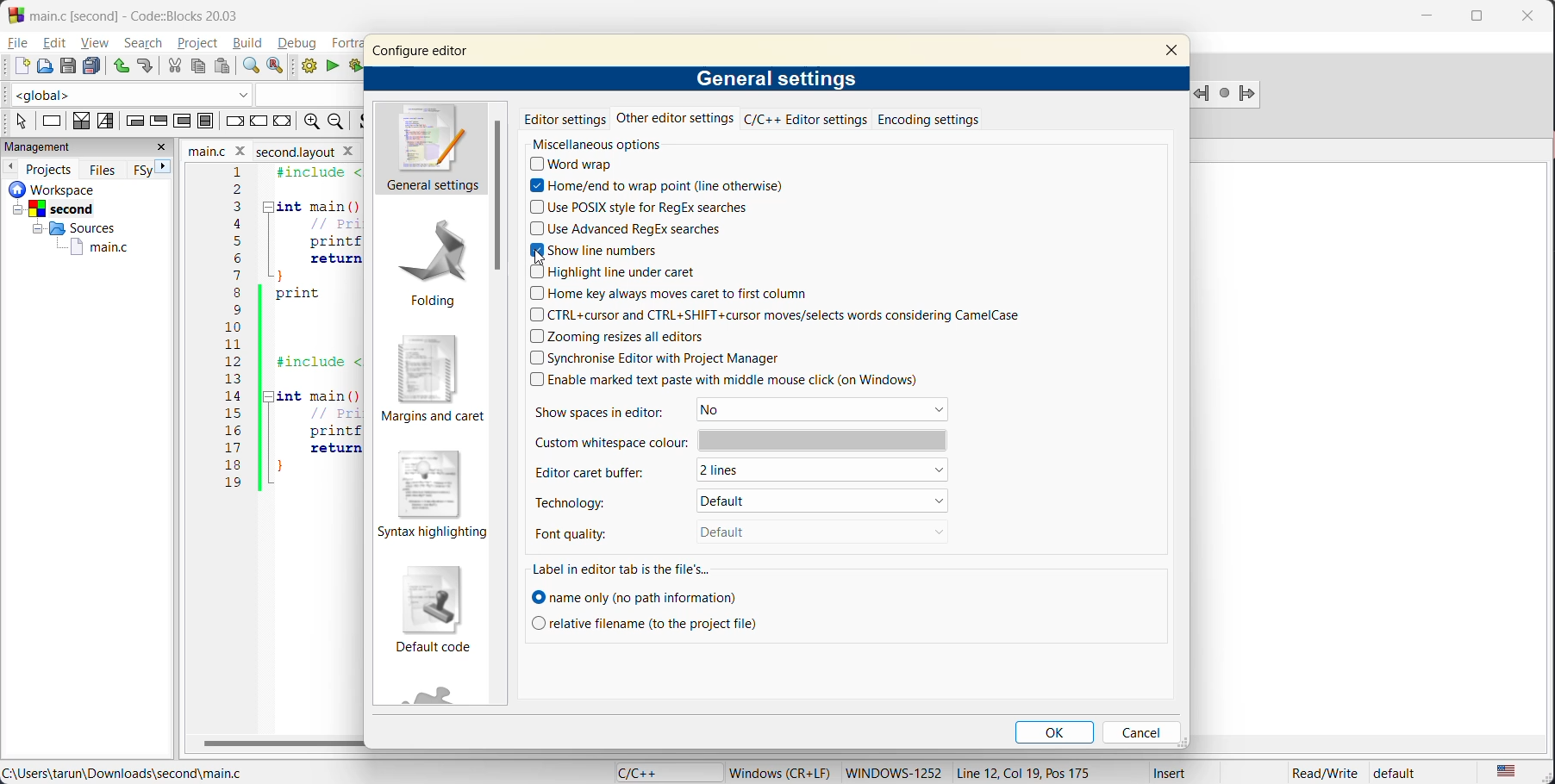 The width and height of the screenshot is (1555, 784). What do you see at coordinates (150, 14) in the screenshot?
I see `app name and file name` at bounding box center [150, 14].